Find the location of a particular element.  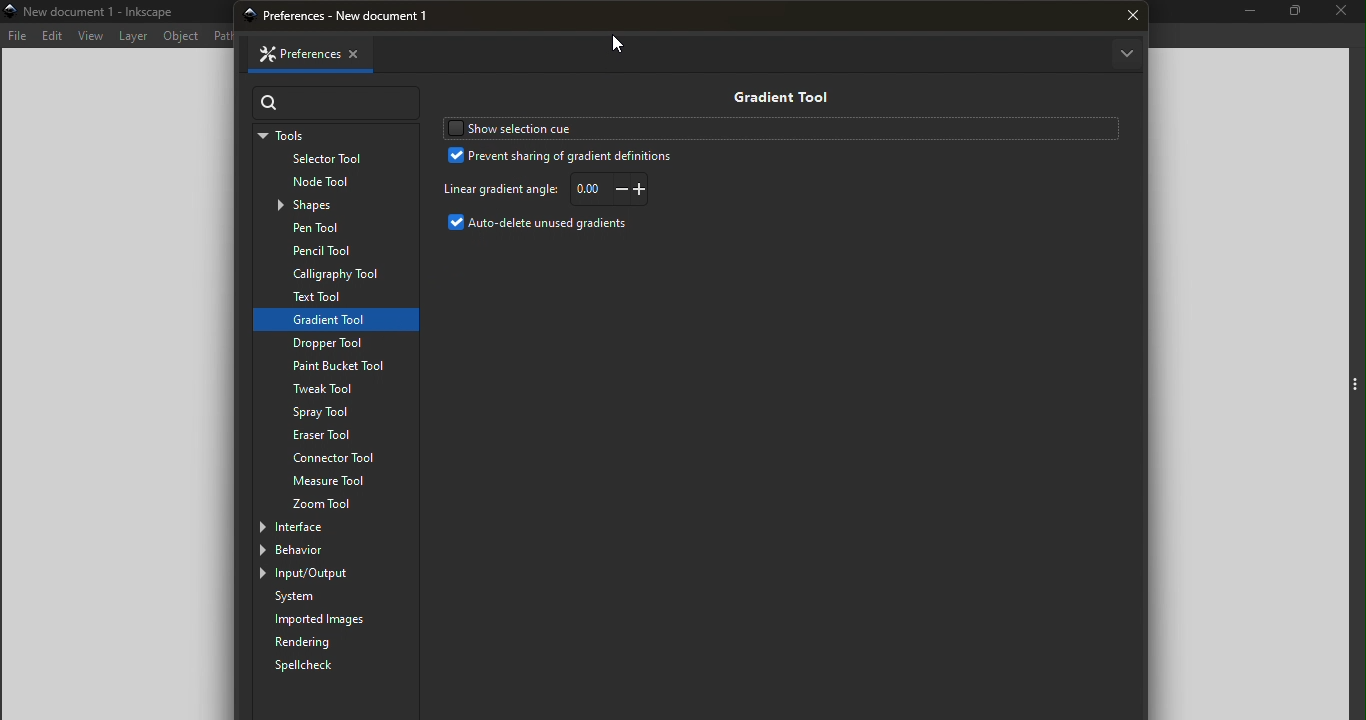

Measure tool is located at coordinates (336, 481).